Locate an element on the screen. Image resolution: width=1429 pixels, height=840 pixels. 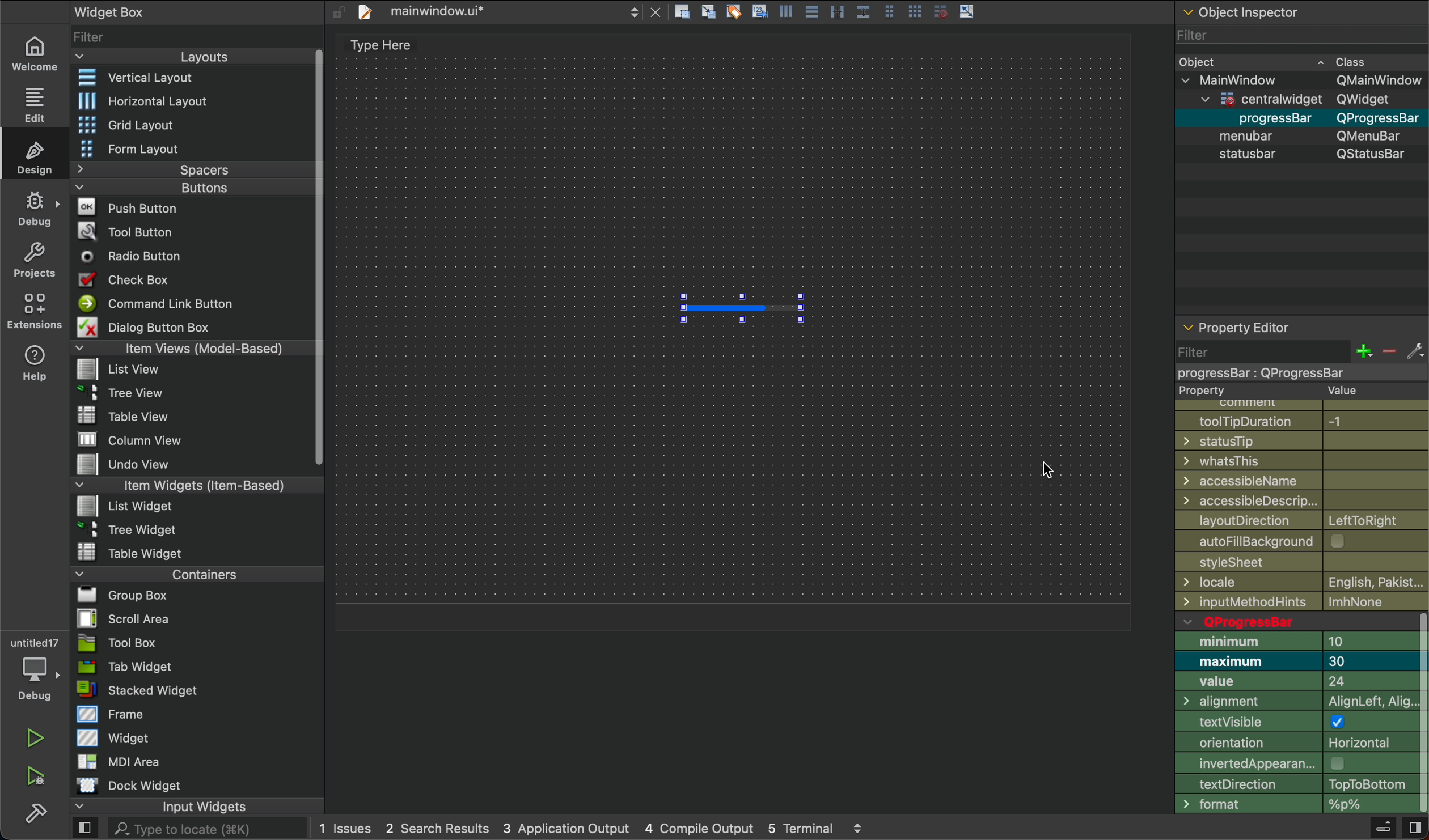
widget box is located at coordinates (143, 11).